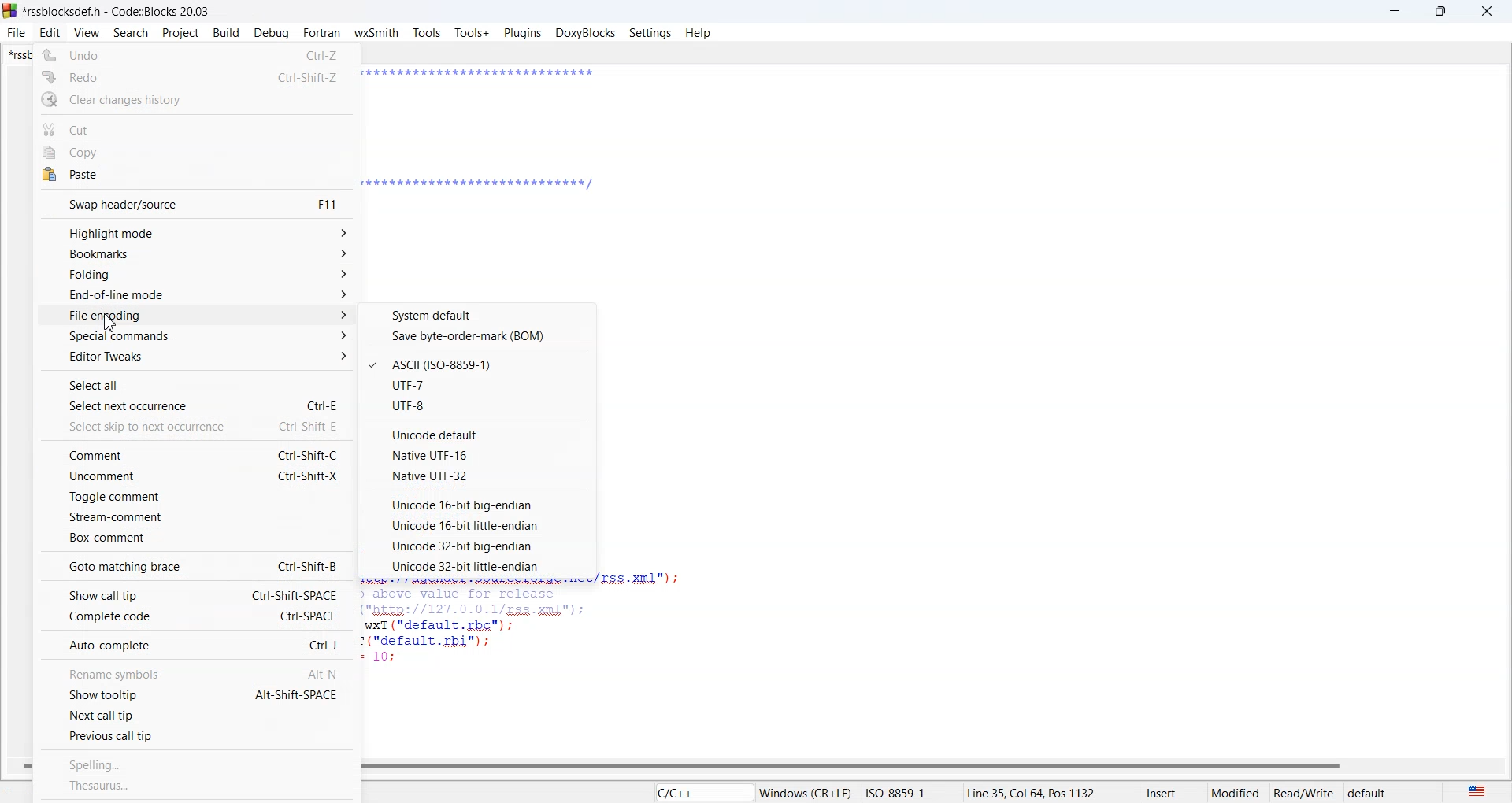 The height and width of the screenshot is (803, 1512). I want to click on minimise, so click(1395, 11).